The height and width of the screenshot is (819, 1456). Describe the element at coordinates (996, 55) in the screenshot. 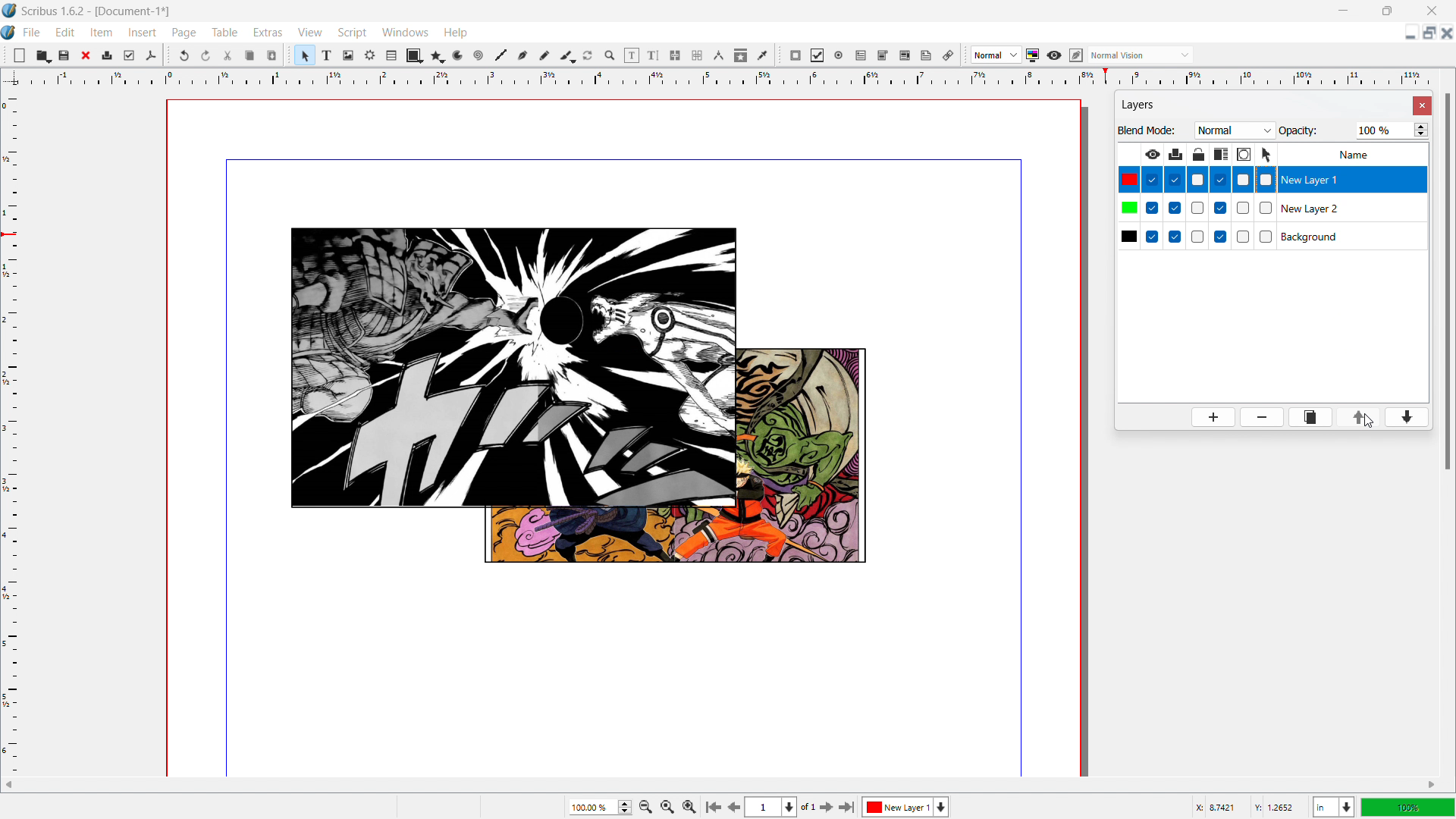

I see `select image preview` at that location.